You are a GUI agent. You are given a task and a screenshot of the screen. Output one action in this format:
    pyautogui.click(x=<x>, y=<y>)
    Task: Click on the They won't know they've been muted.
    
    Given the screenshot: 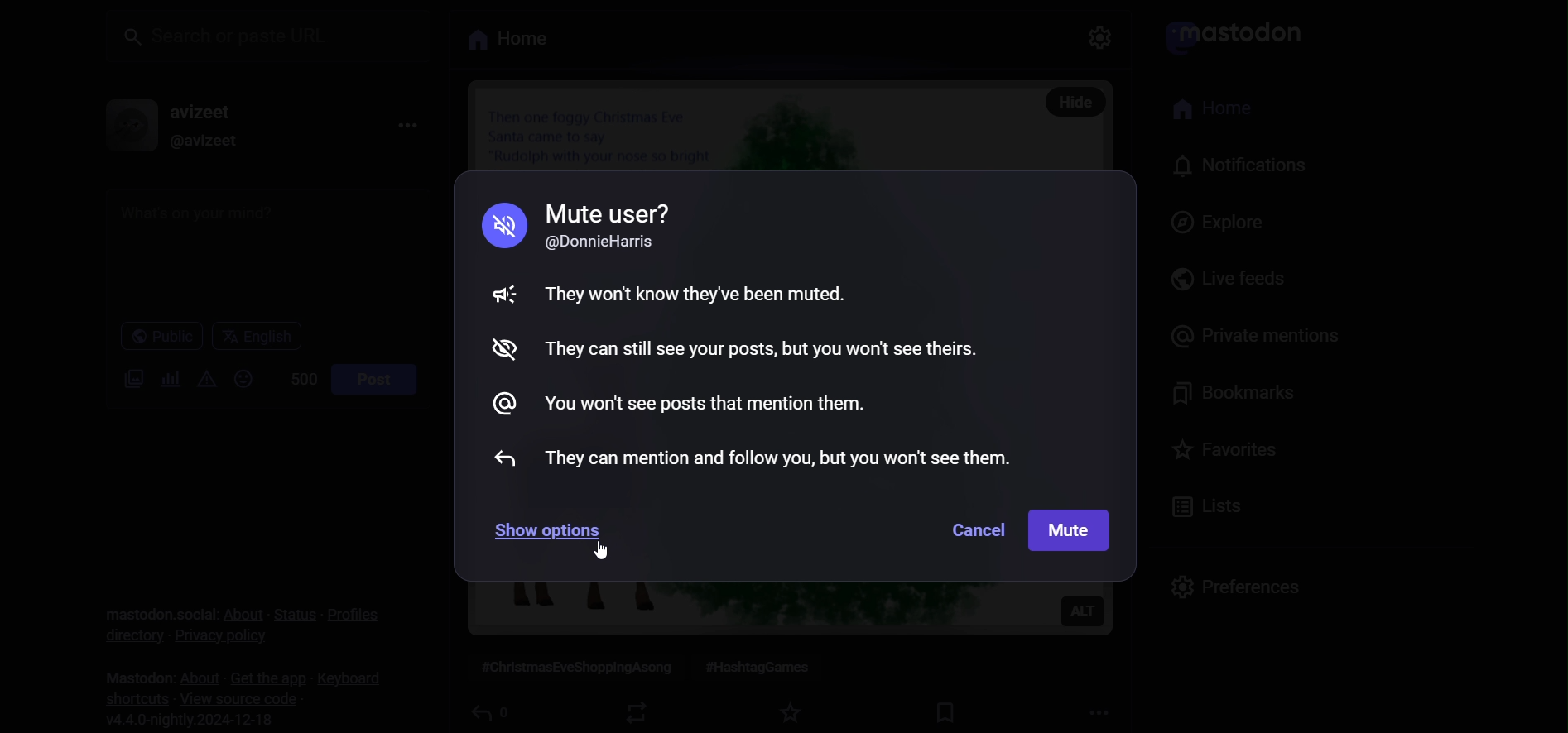 What is the action you would take?
    pyautogui.click(x=693, y=296)
    